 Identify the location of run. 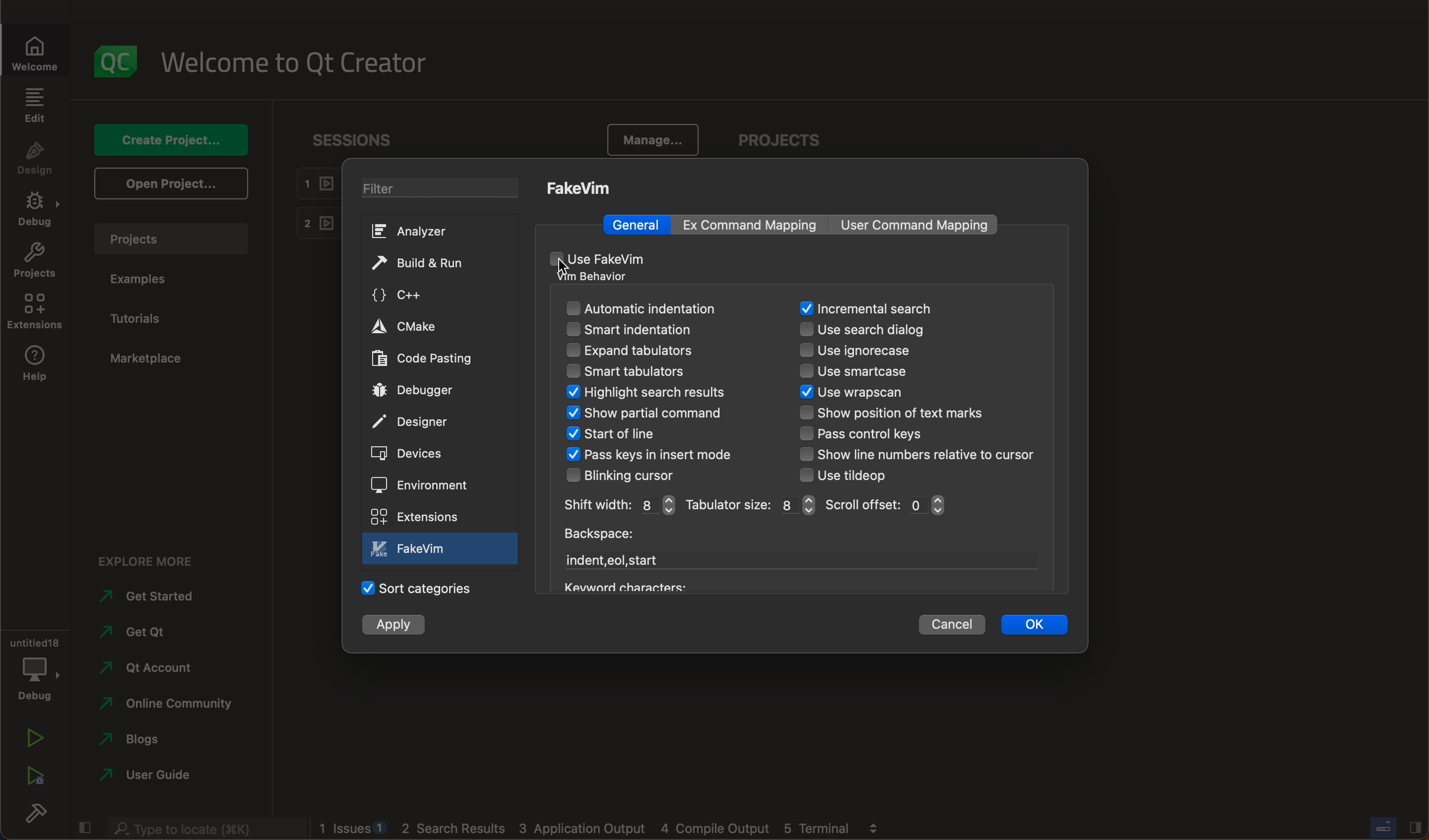
(33, 737).